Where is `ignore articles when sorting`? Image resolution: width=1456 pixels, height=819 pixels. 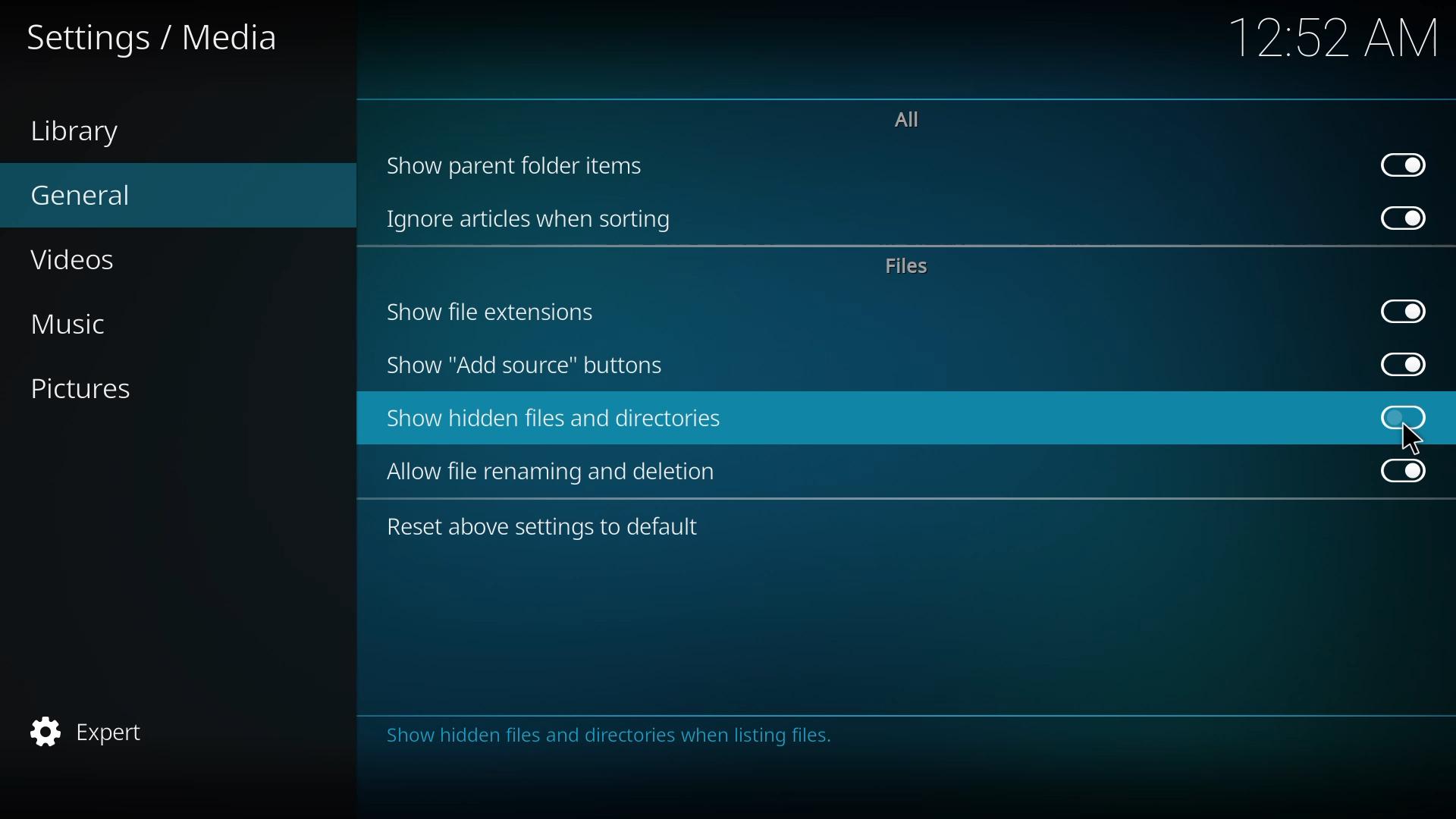
ignore articles when sorting is located at coordinates (531, 216).